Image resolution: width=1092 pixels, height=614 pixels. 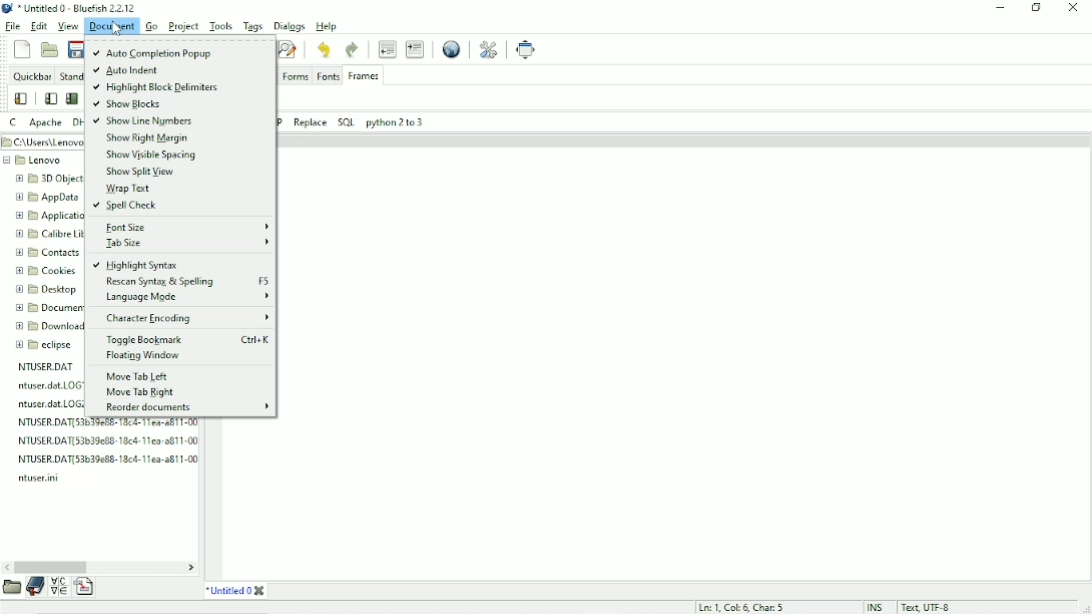 What do you see at coordinates (186, 227) in the screenshot?
I see `Font size` at bounding box center [186, 227].